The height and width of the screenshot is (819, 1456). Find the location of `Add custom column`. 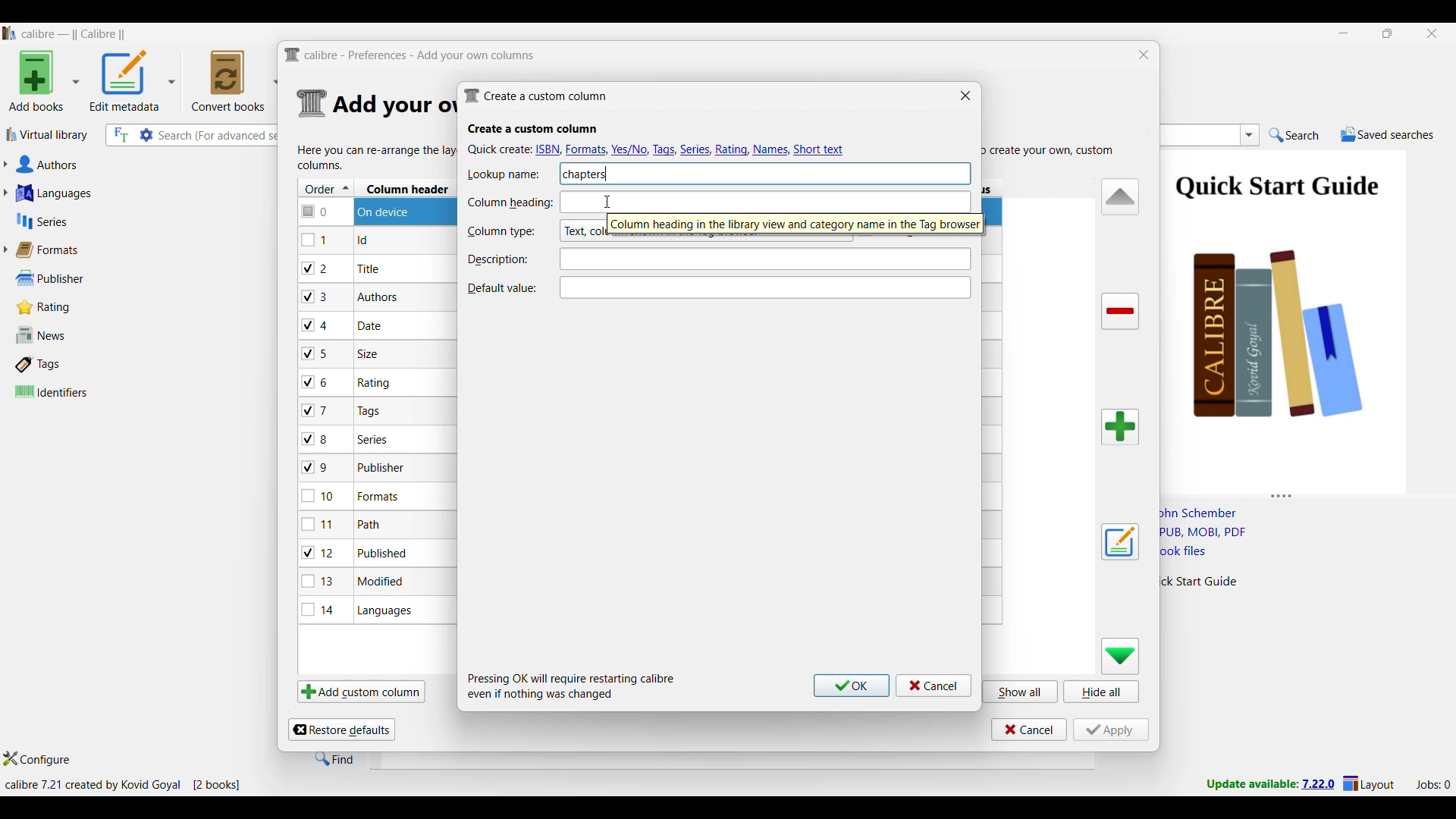

Add custom column is located at coordinates (361, 691).